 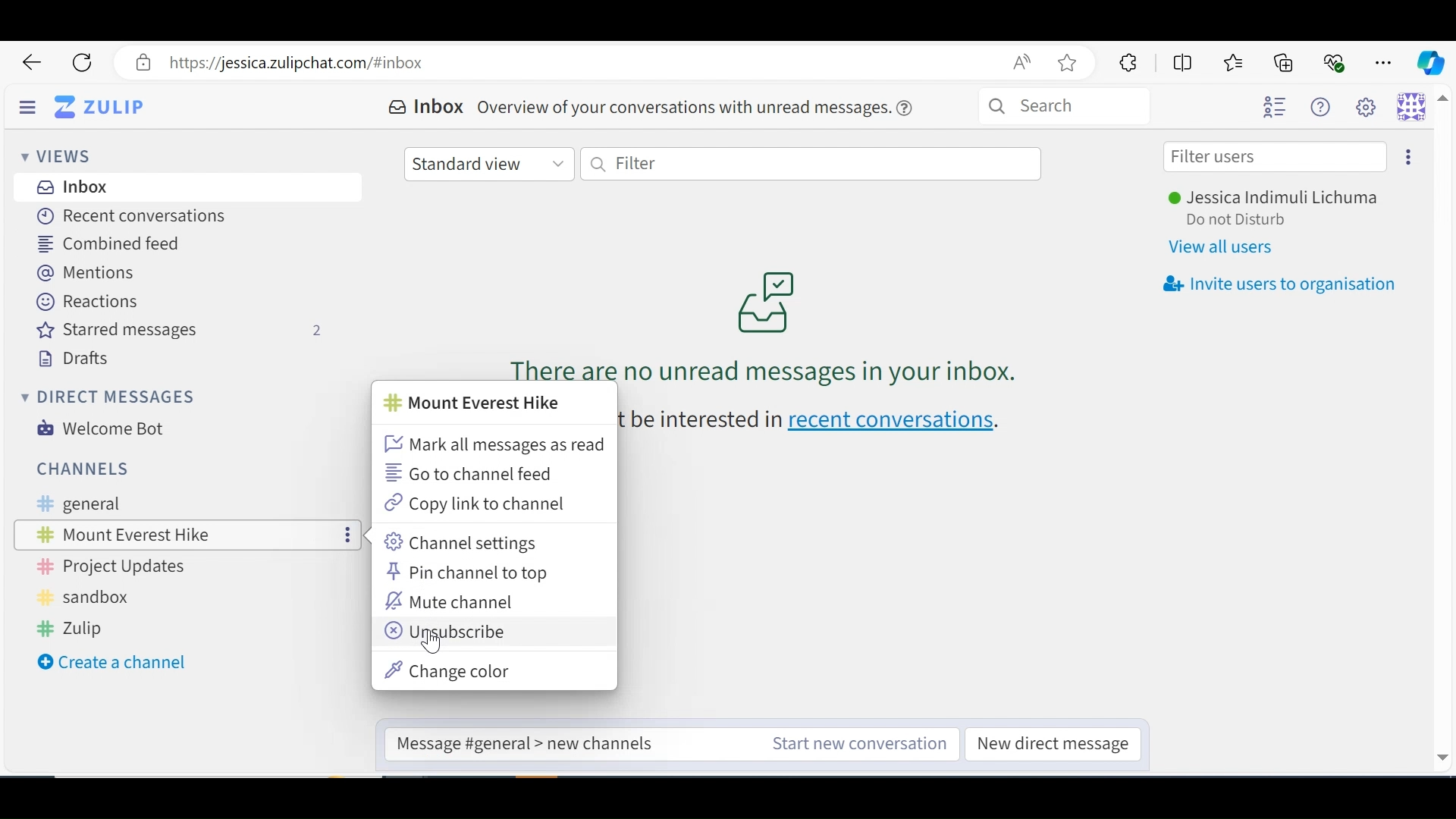 What do you see at coordinates (470, 403) in the screenshot?
I see `Channel name` at bounding box center [470, 403].